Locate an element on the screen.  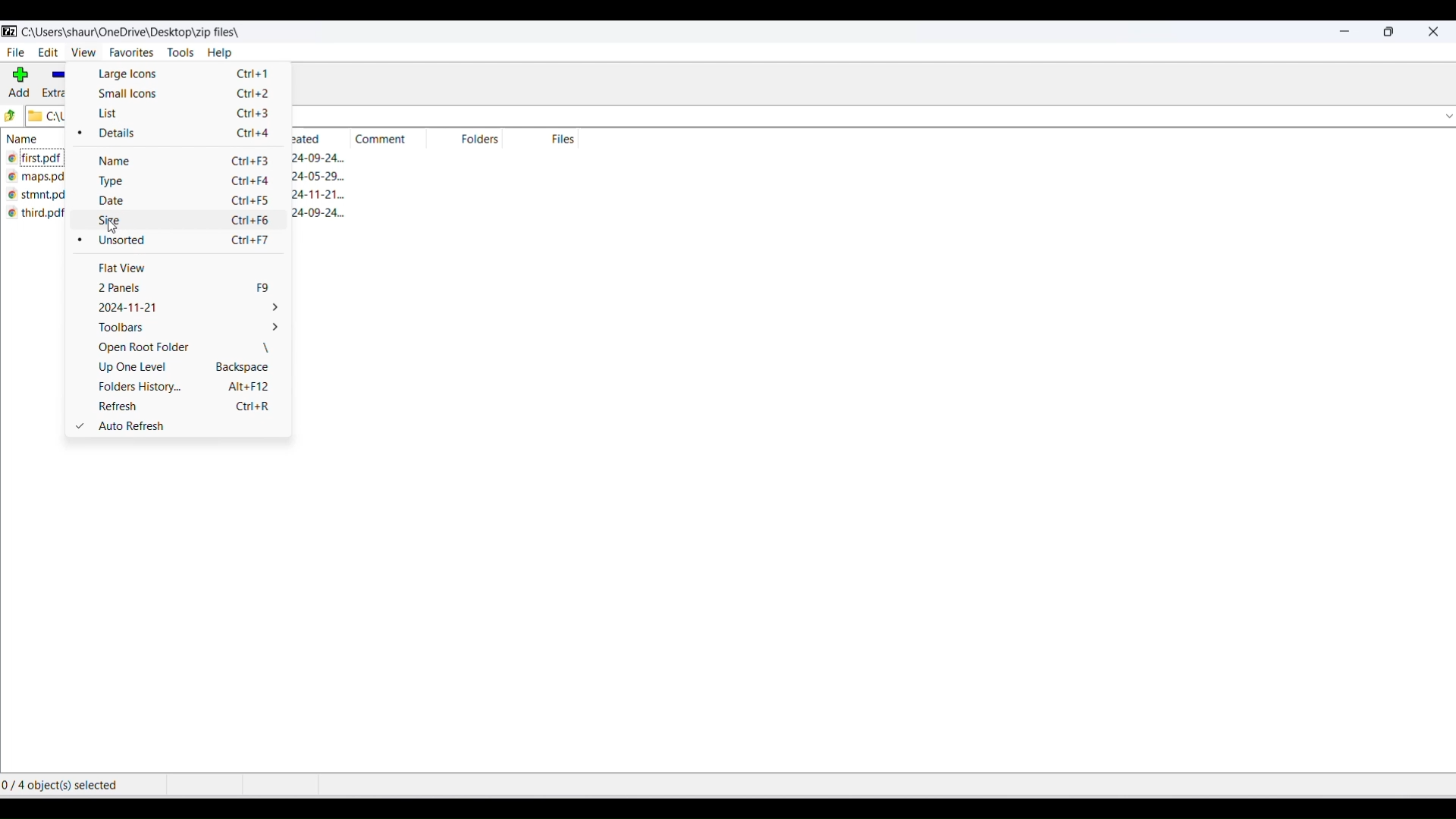
creation date is located at coordinates (325, 177).